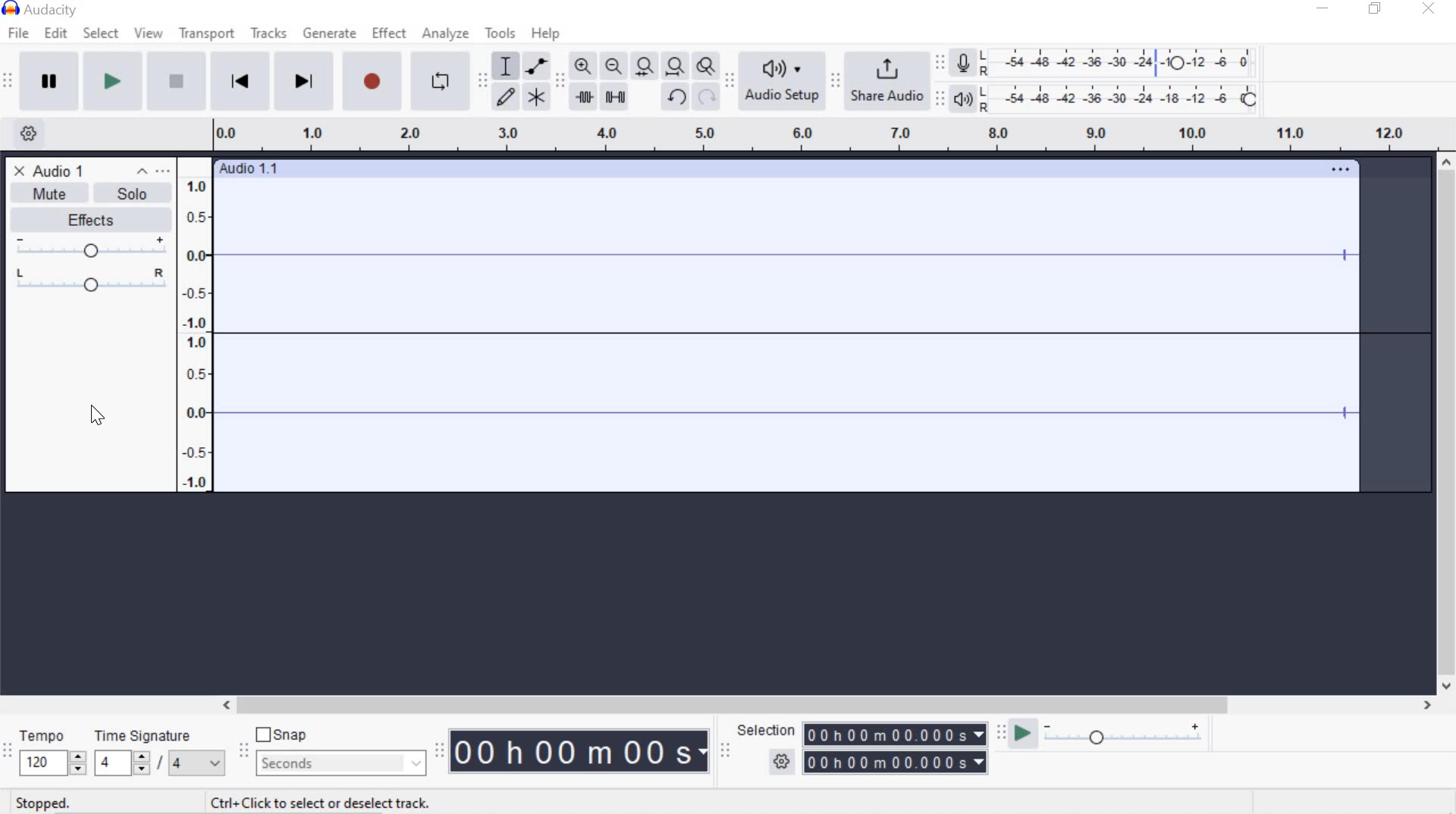 The width and height of the screenshot is (1456, 814). Describe the element at coordinates (1125, 99) in the screenshot. I see `Playback level` at that location.